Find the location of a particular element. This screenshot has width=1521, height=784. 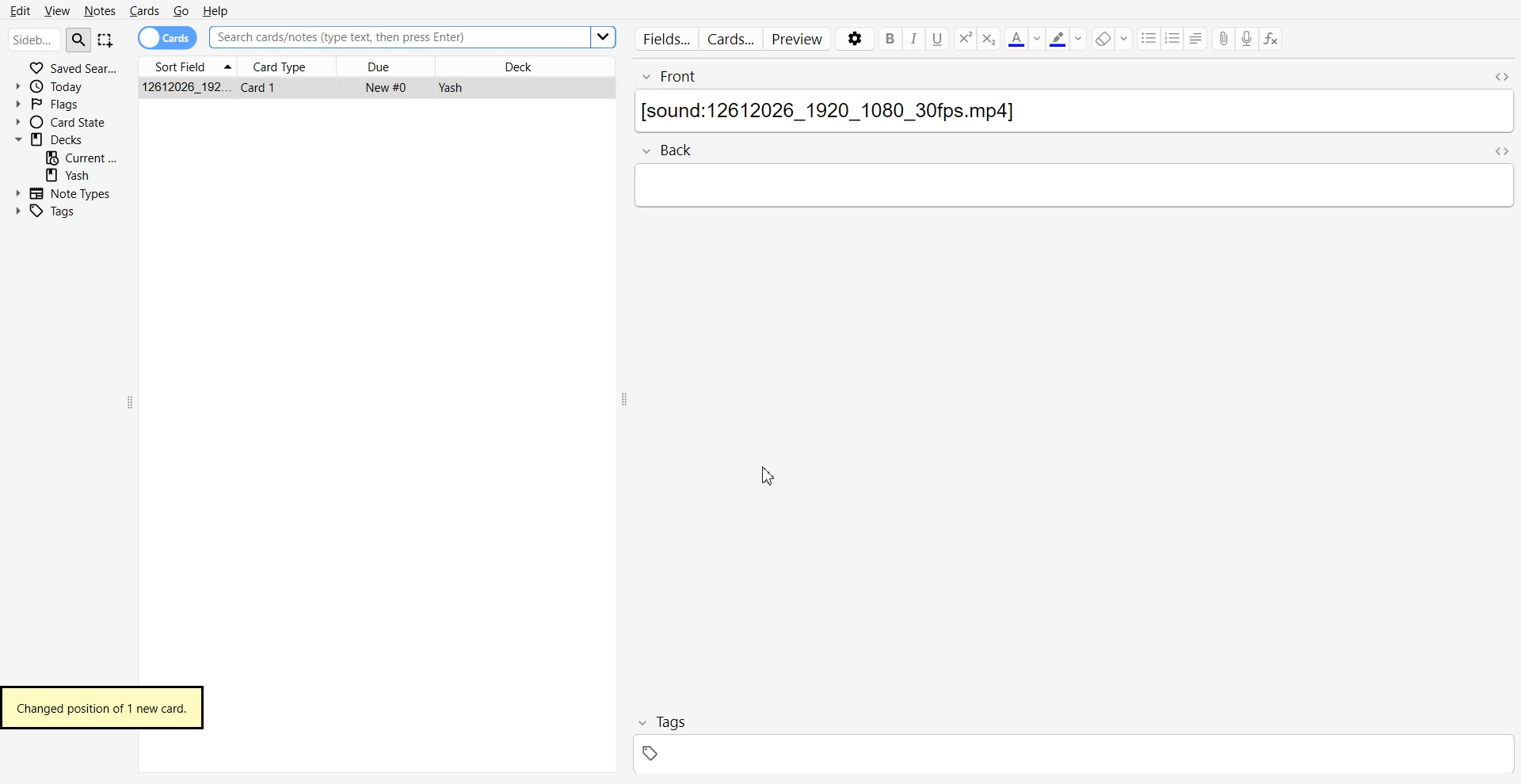

Search Bar is located at coordinates (397, 37).